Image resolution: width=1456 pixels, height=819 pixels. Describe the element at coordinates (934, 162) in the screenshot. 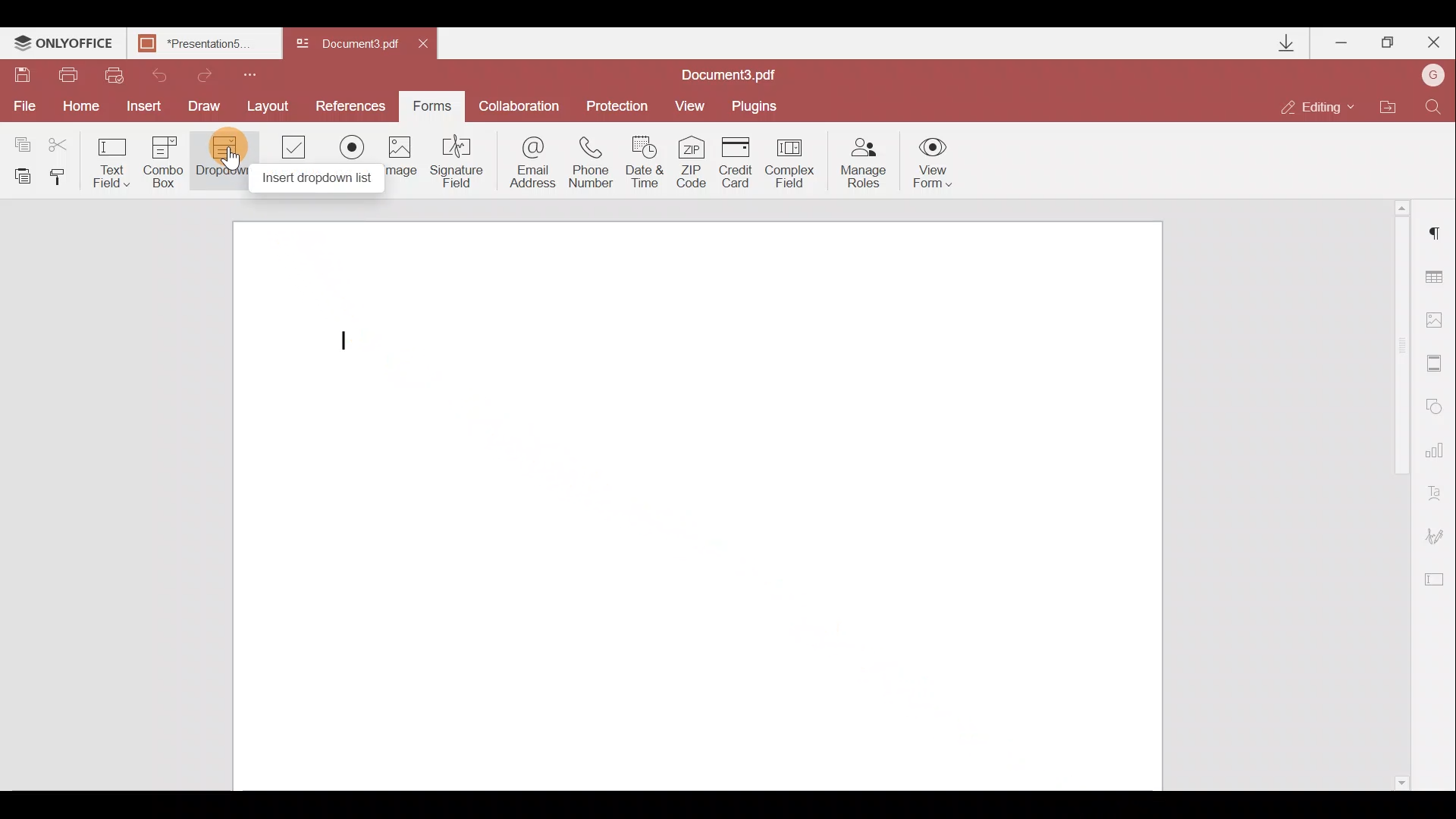

I see `View form` at that location.